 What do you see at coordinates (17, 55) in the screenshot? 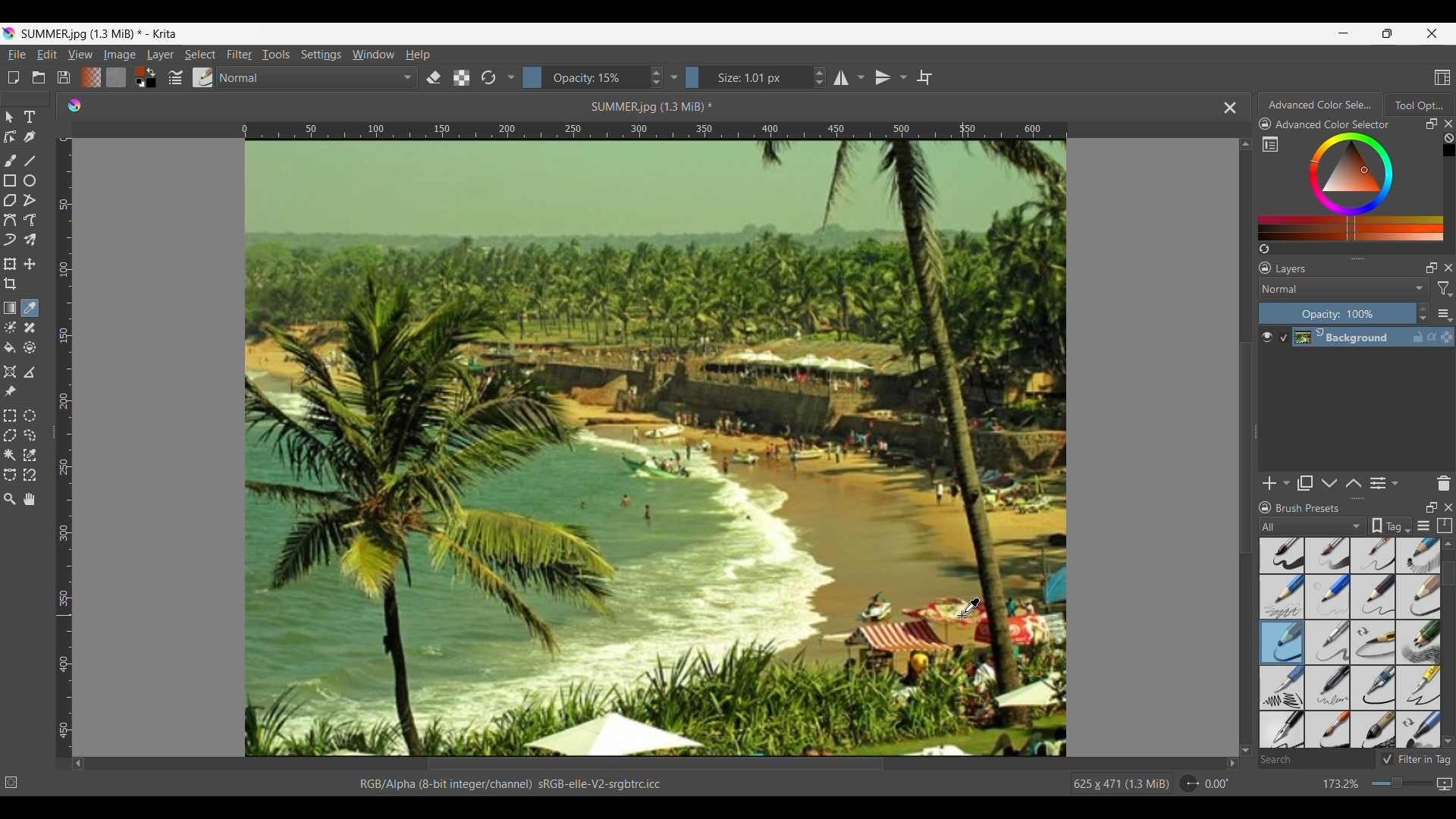
I see `File menu` at bounding box center [17, 55].